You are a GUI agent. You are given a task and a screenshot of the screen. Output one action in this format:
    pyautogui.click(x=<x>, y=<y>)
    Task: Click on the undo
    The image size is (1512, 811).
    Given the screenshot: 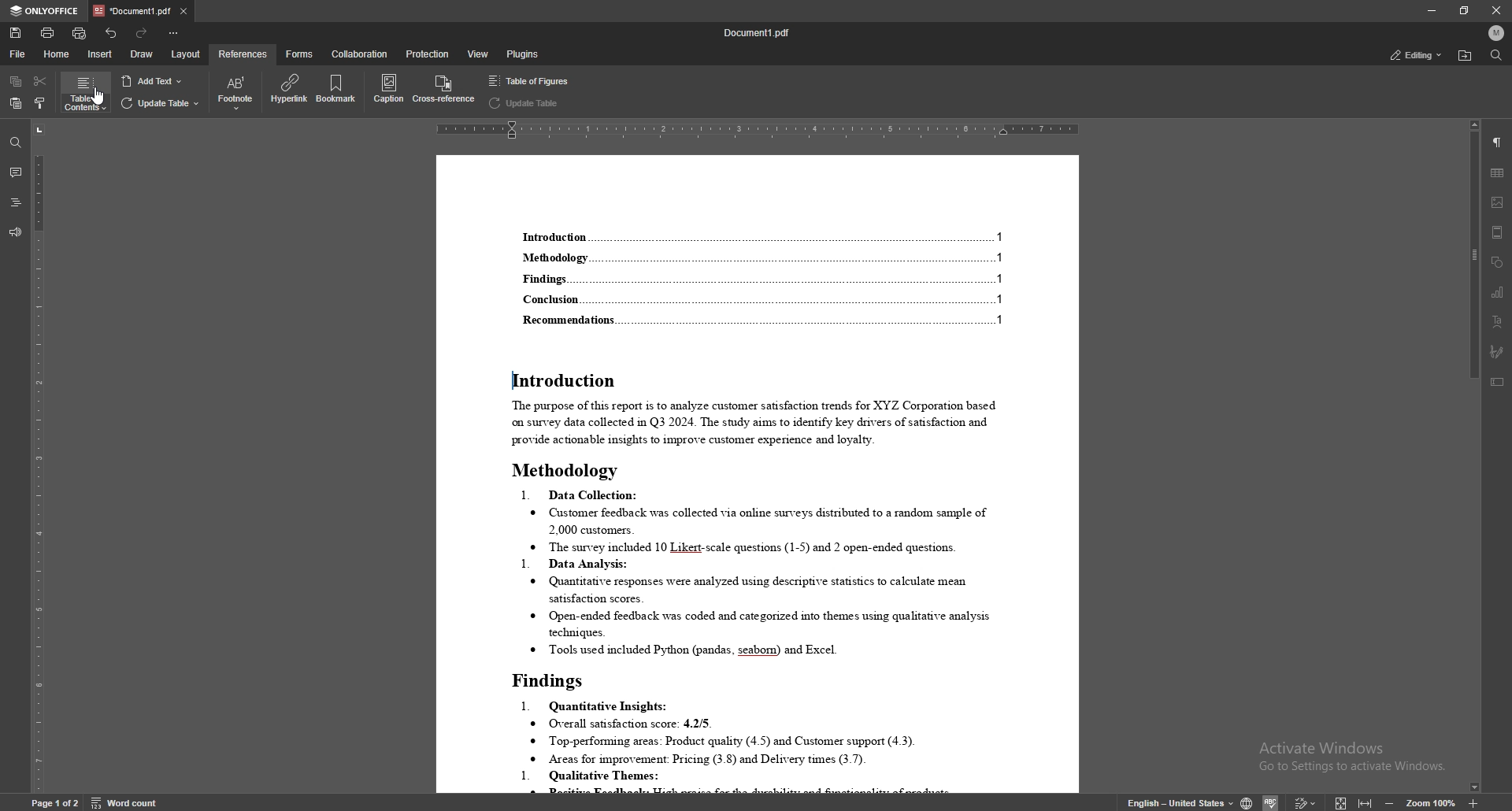 What is the action you would take?
    pyautogui.click(x=113, y=33)
    